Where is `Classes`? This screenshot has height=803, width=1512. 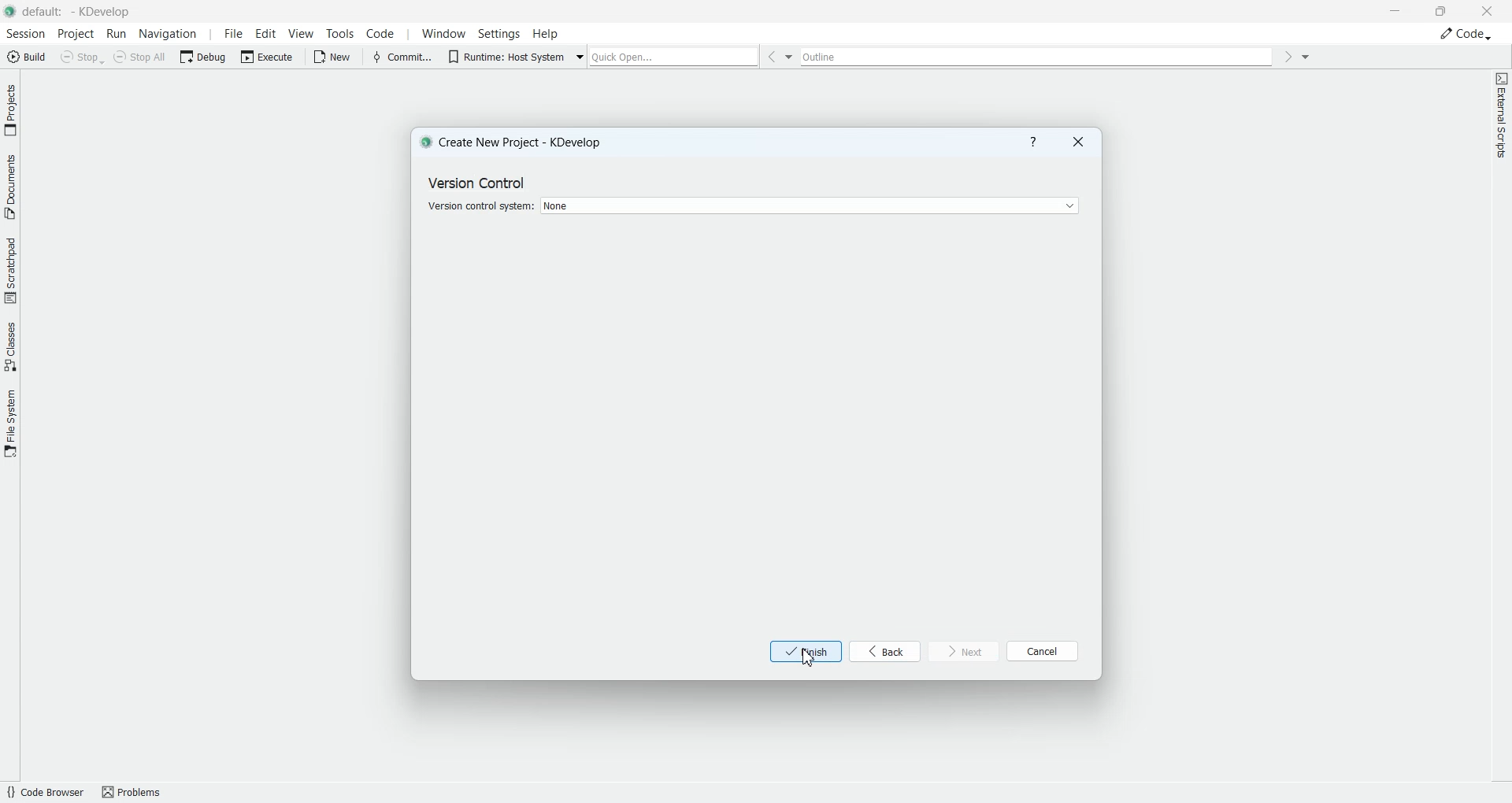 Classes is located at coordinates (11, 346).